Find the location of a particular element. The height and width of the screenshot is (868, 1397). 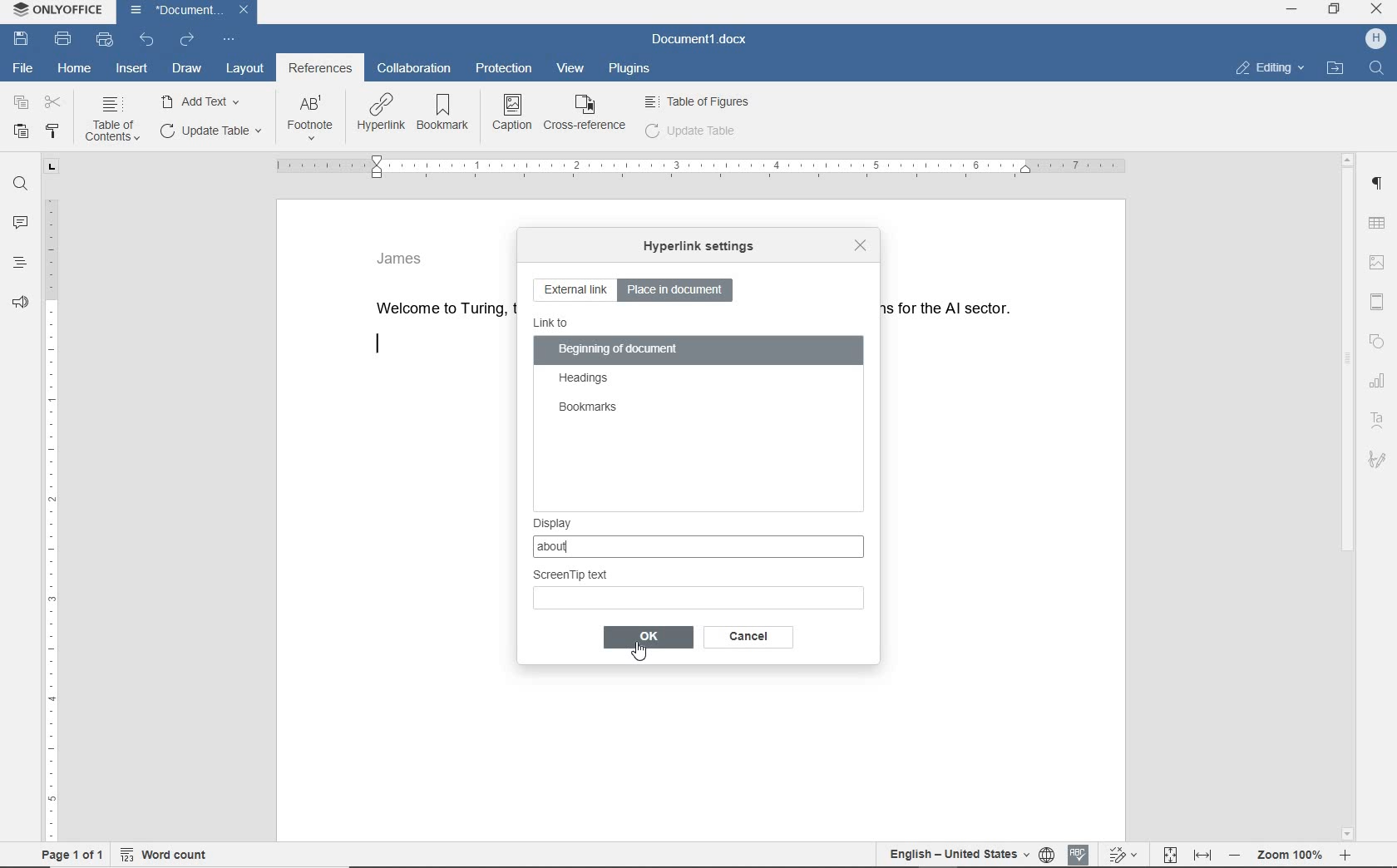

header & footer is located at coordinates (1376, 300).